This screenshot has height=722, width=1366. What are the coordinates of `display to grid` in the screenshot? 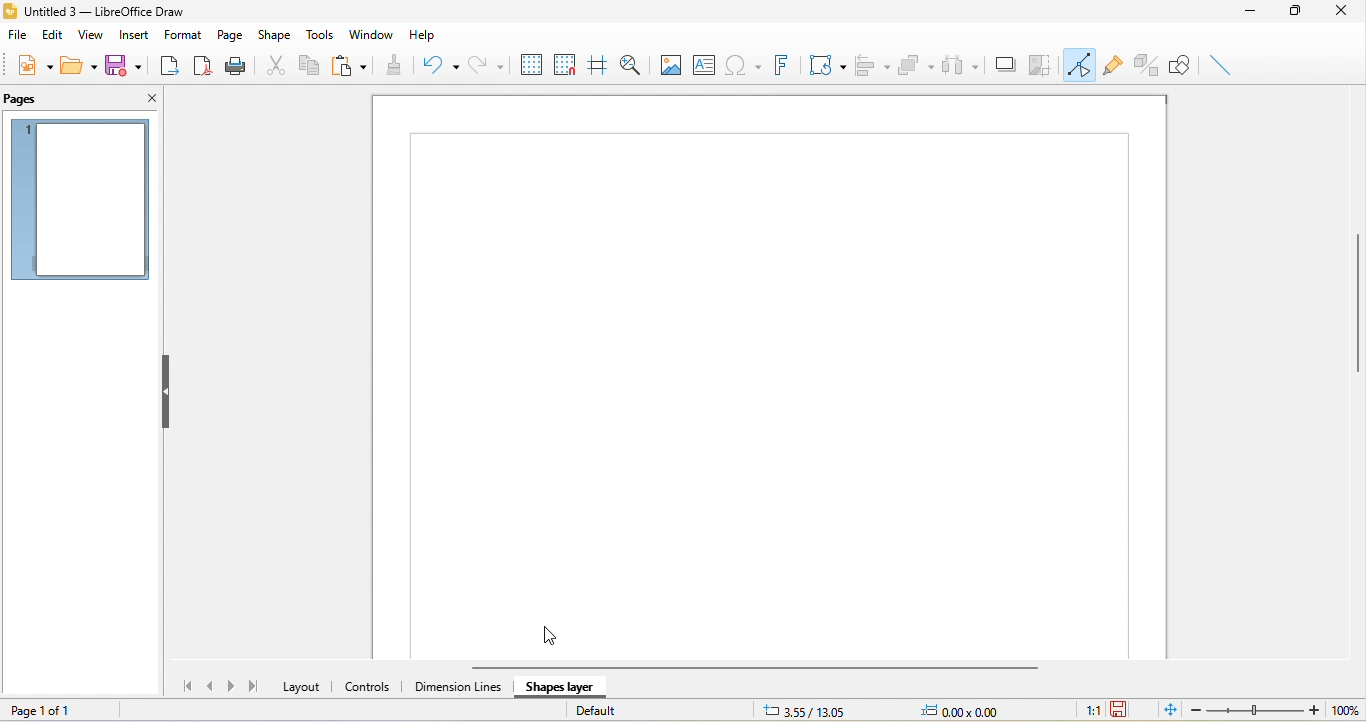 It's located at (532, 63).